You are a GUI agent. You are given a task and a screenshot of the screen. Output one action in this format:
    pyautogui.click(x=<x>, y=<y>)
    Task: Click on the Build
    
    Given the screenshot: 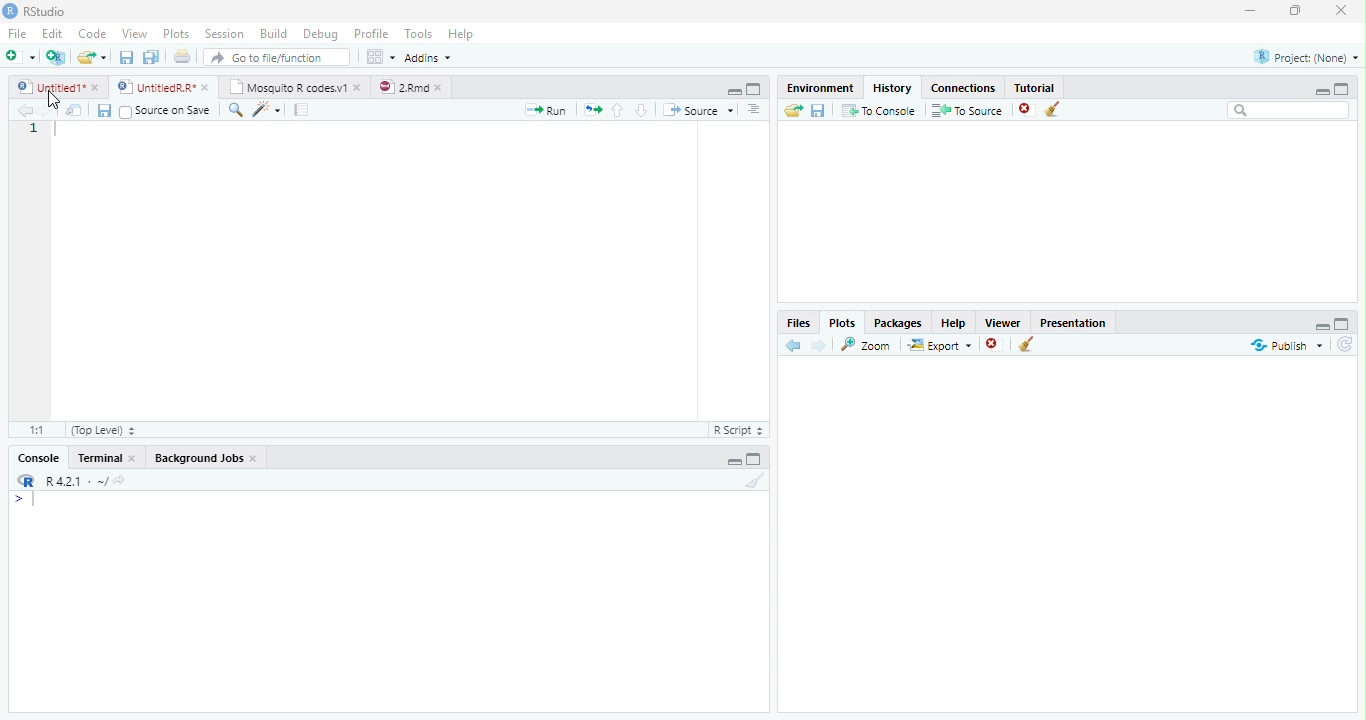 What is the action you would take?
    pyautogui.click(x=275, y=33)
    